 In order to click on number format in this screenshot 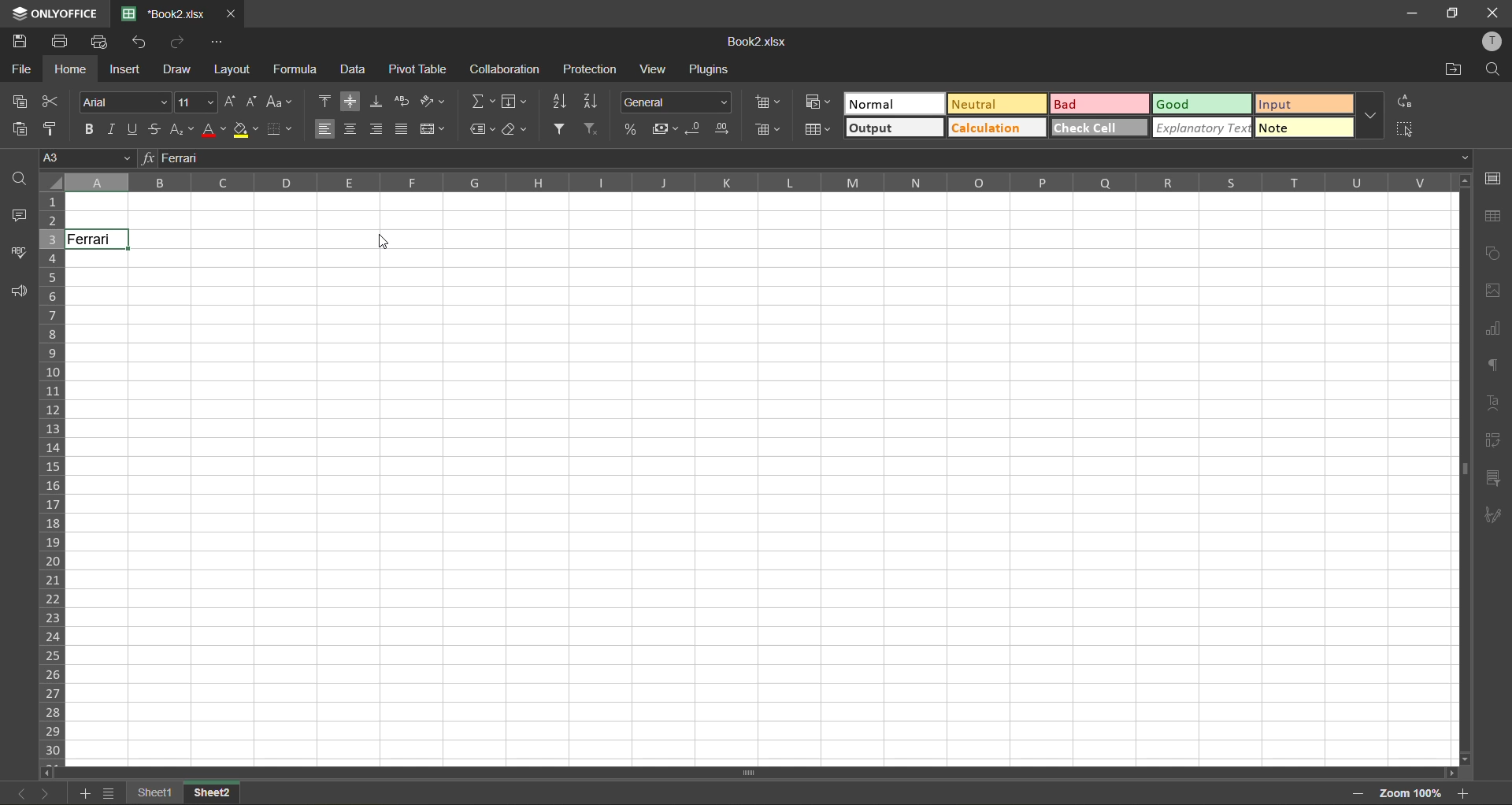, I will do `click(675, 101)`.